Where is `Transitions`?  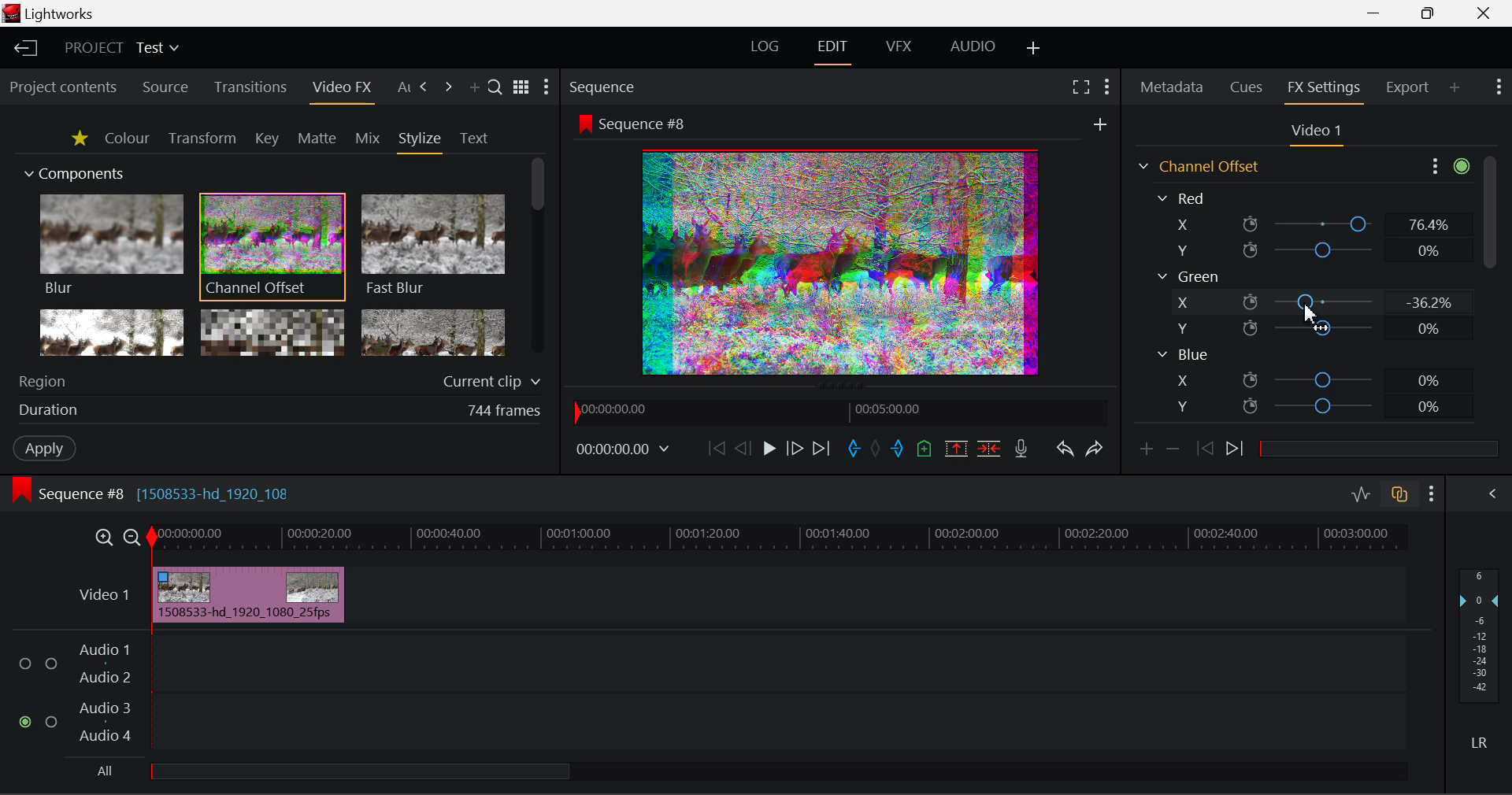 Transitions is located at coordinates (249, 87).